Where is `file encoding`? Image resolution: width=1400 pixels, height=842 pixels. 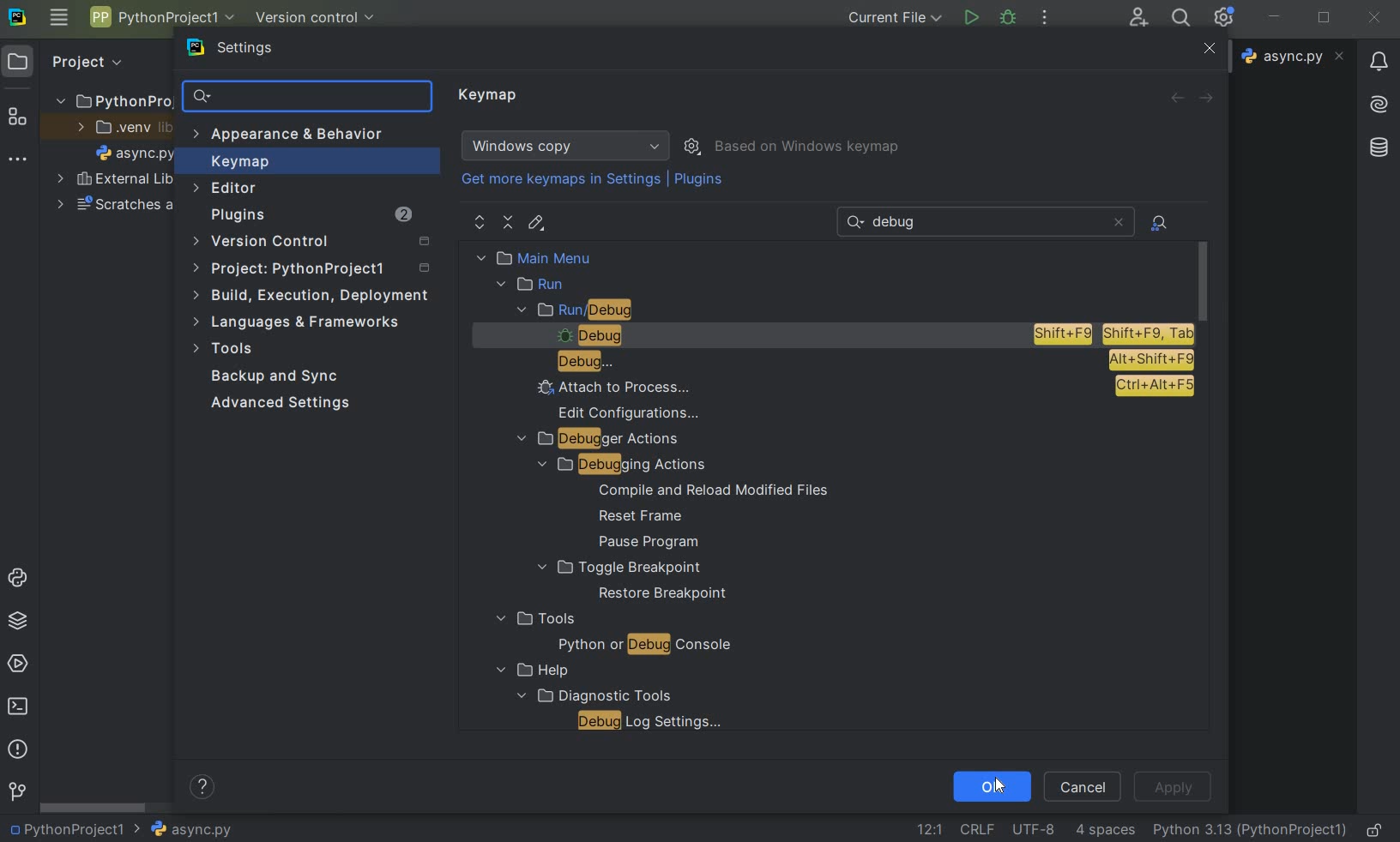 file encoding is located at coordinates (1035, 828).